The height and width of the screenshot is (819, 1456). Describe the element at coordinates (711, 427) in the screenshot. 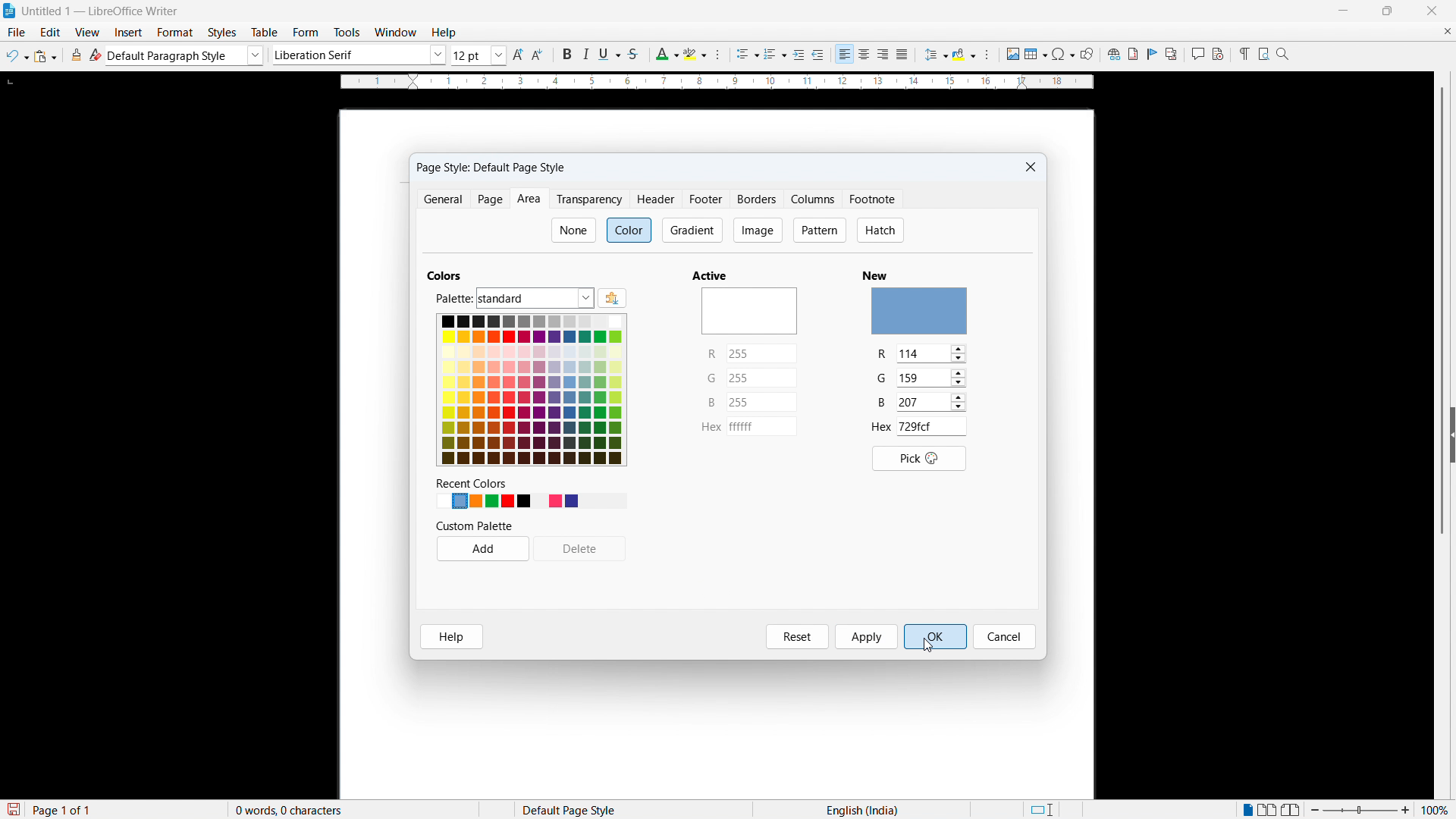

I see `hex` at that location.